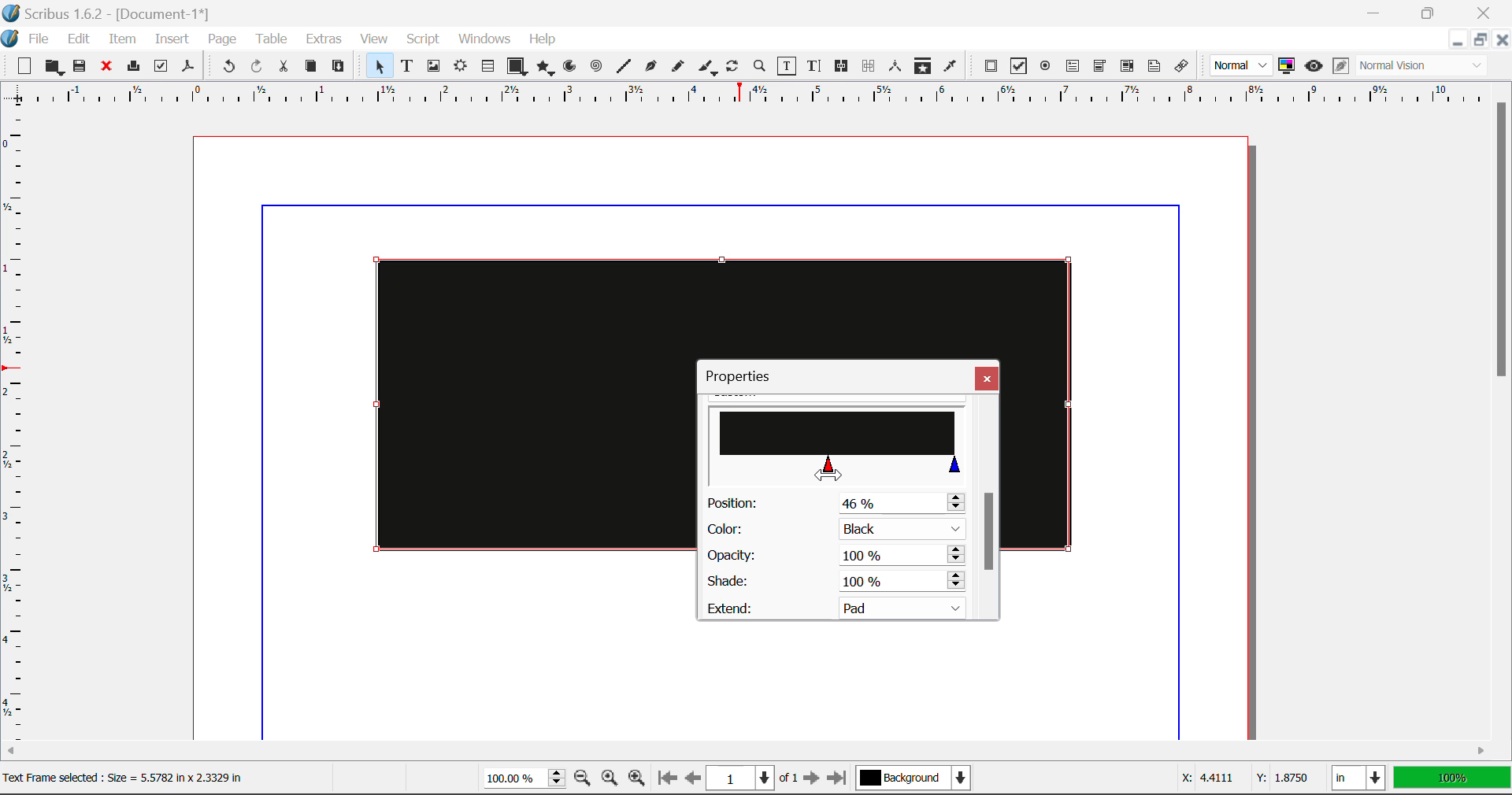  I want to click on View, so click(374, 39).